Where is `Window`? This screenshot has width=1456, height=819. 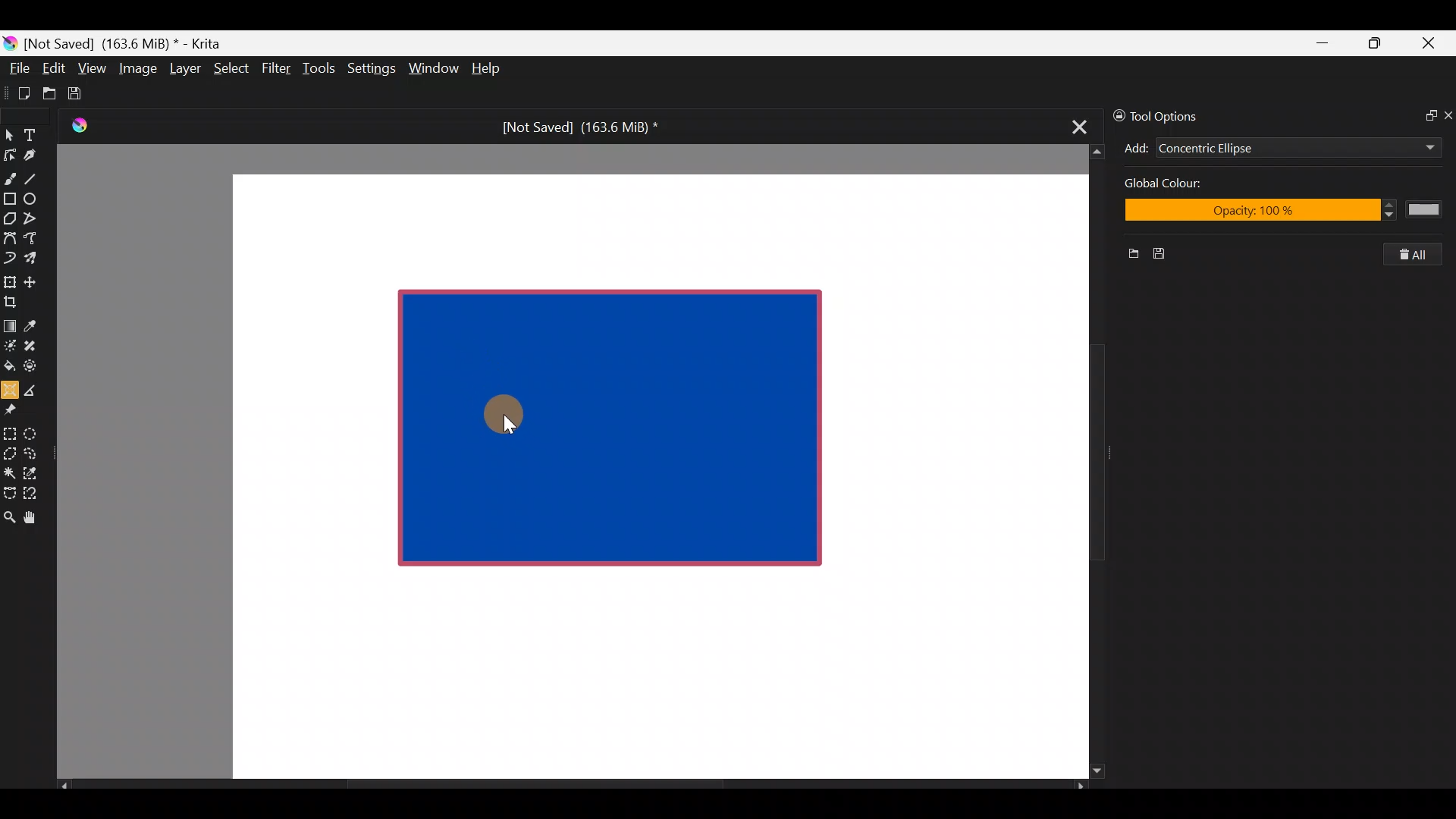 Window is located at coordinates (433, 70).